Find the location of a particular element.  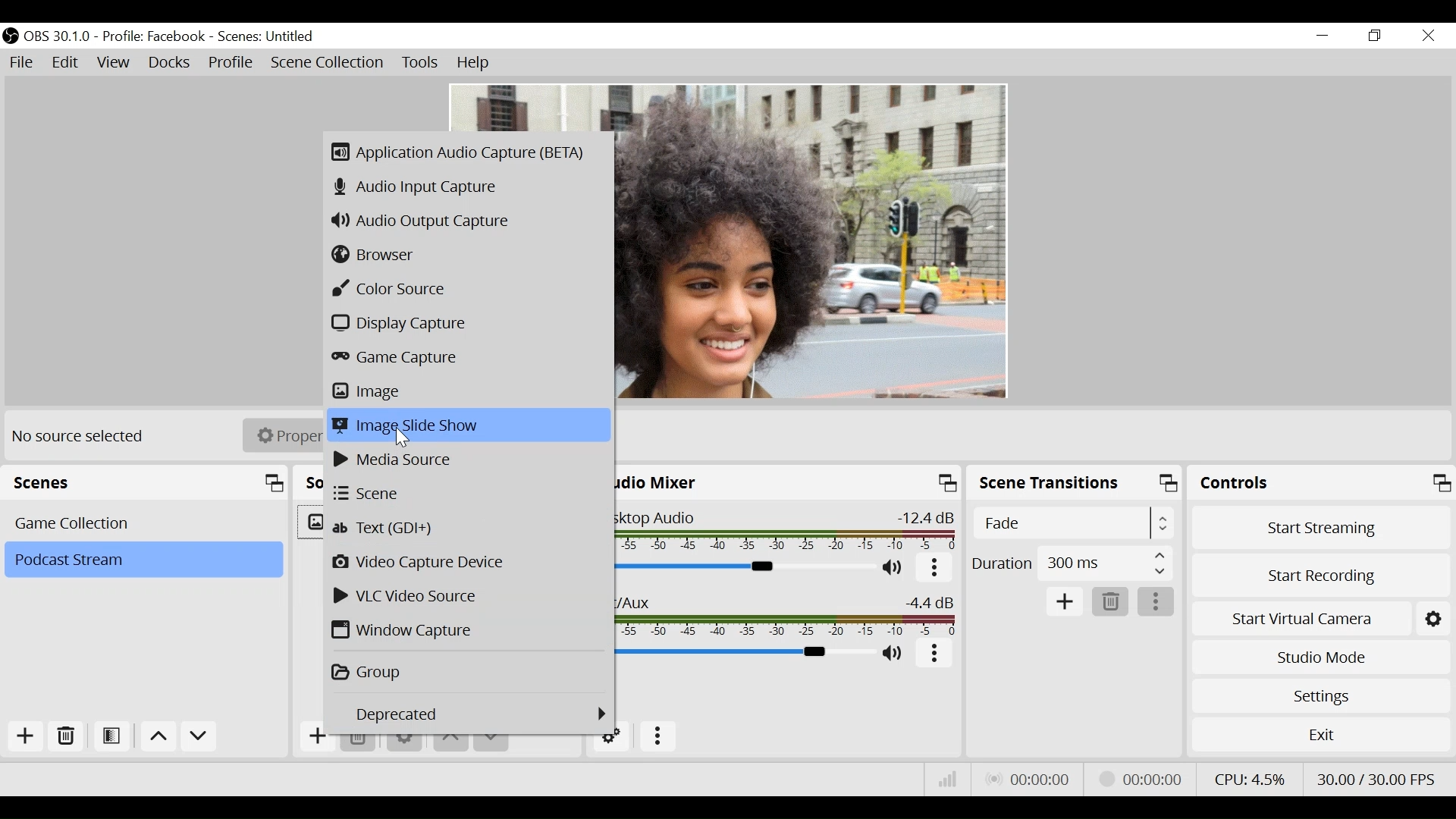

Restore is located at coordinates (1376, 36).